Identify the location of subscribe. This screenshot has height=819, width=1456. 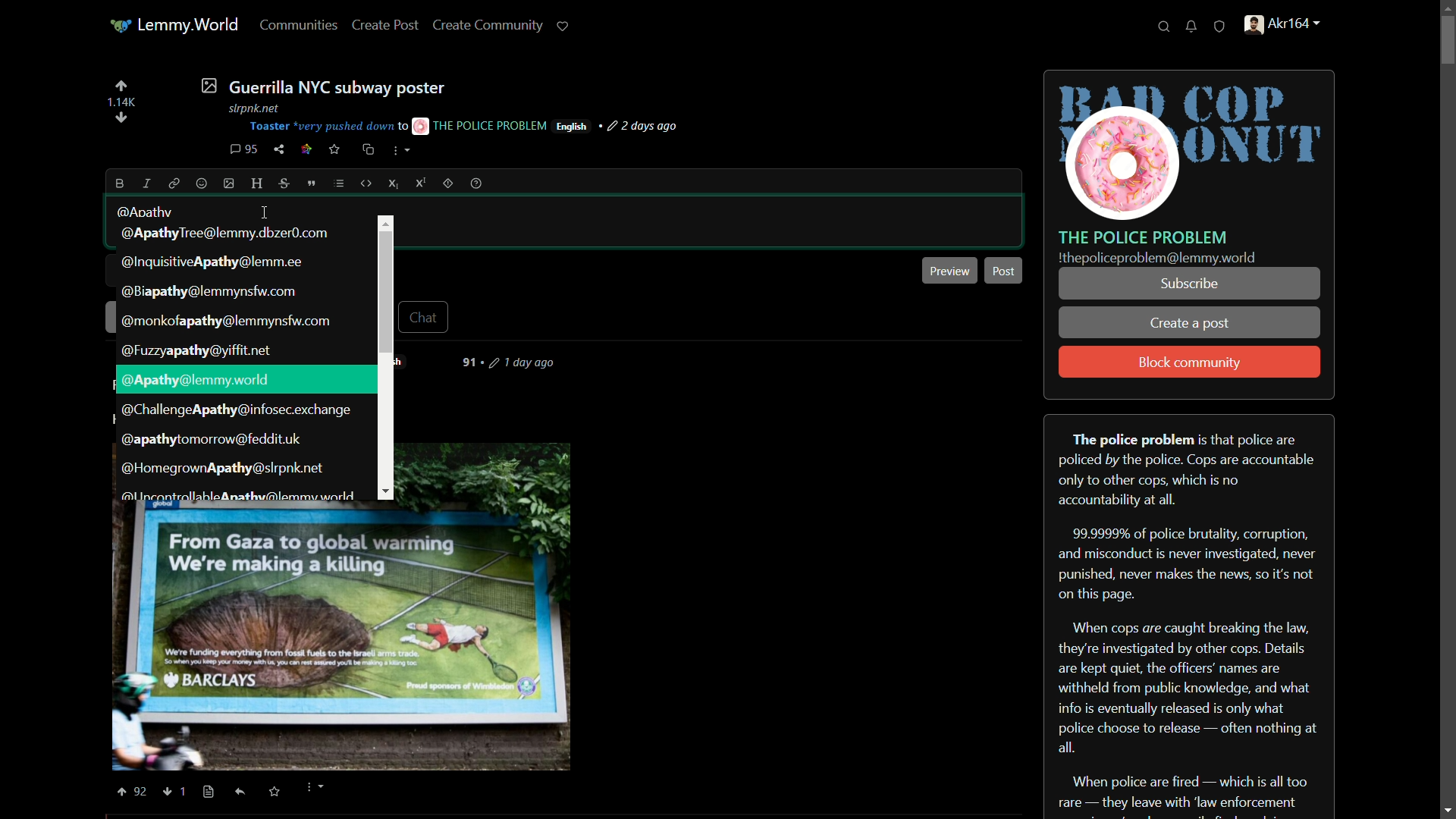
(1188, 284).